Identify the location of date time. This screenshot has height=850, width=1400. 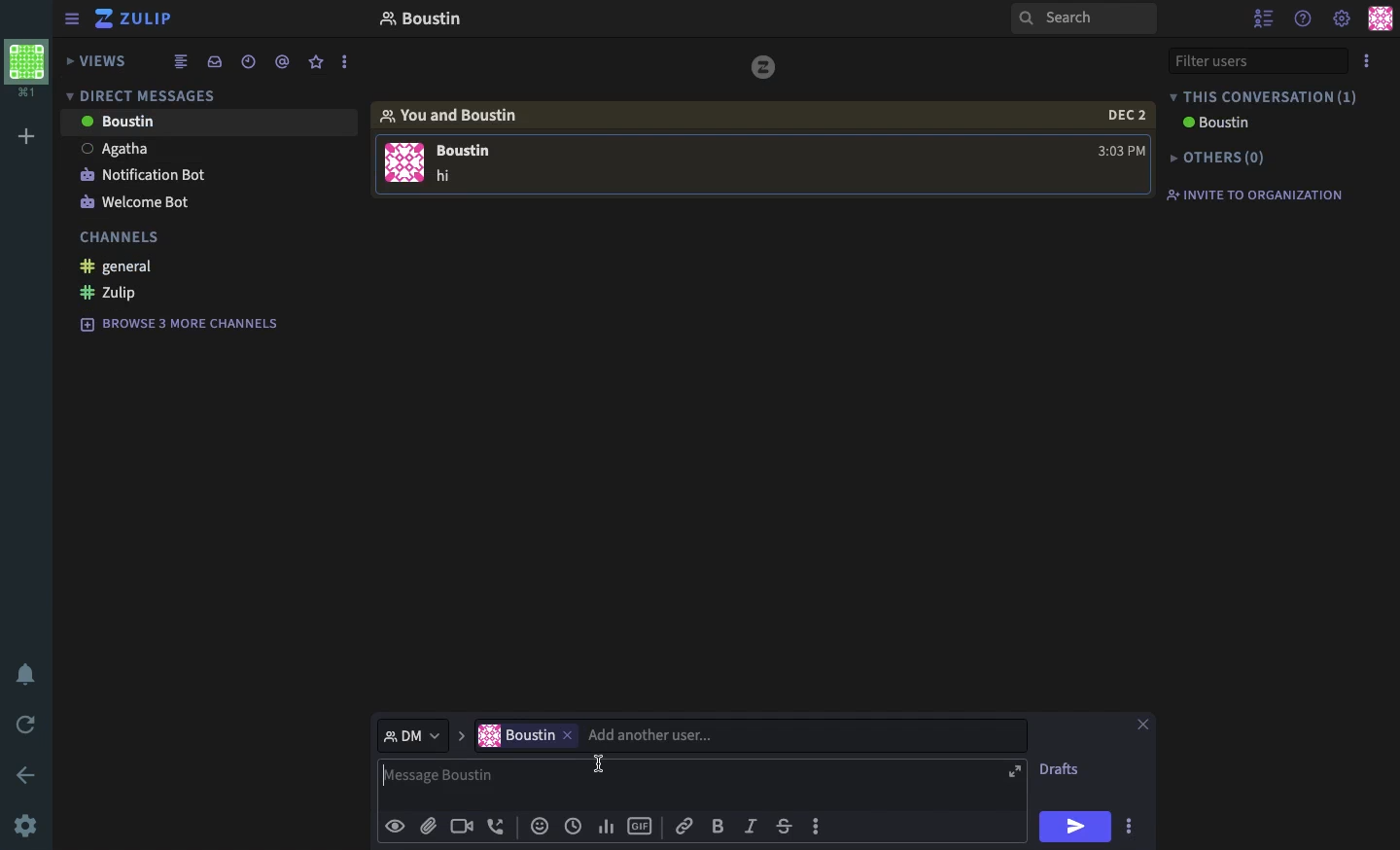
(573, 826).